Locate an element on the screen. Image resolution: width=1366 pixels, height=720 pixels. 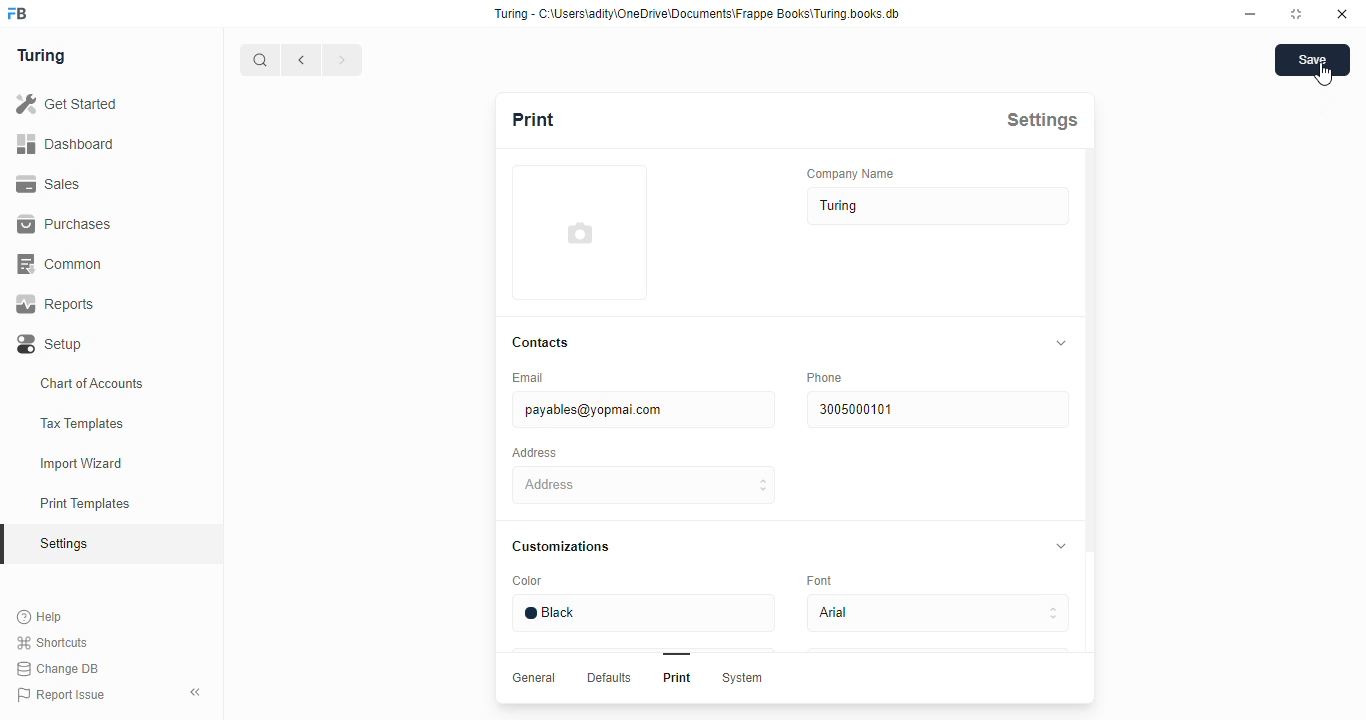
Black is located at coordinates (638, 612).